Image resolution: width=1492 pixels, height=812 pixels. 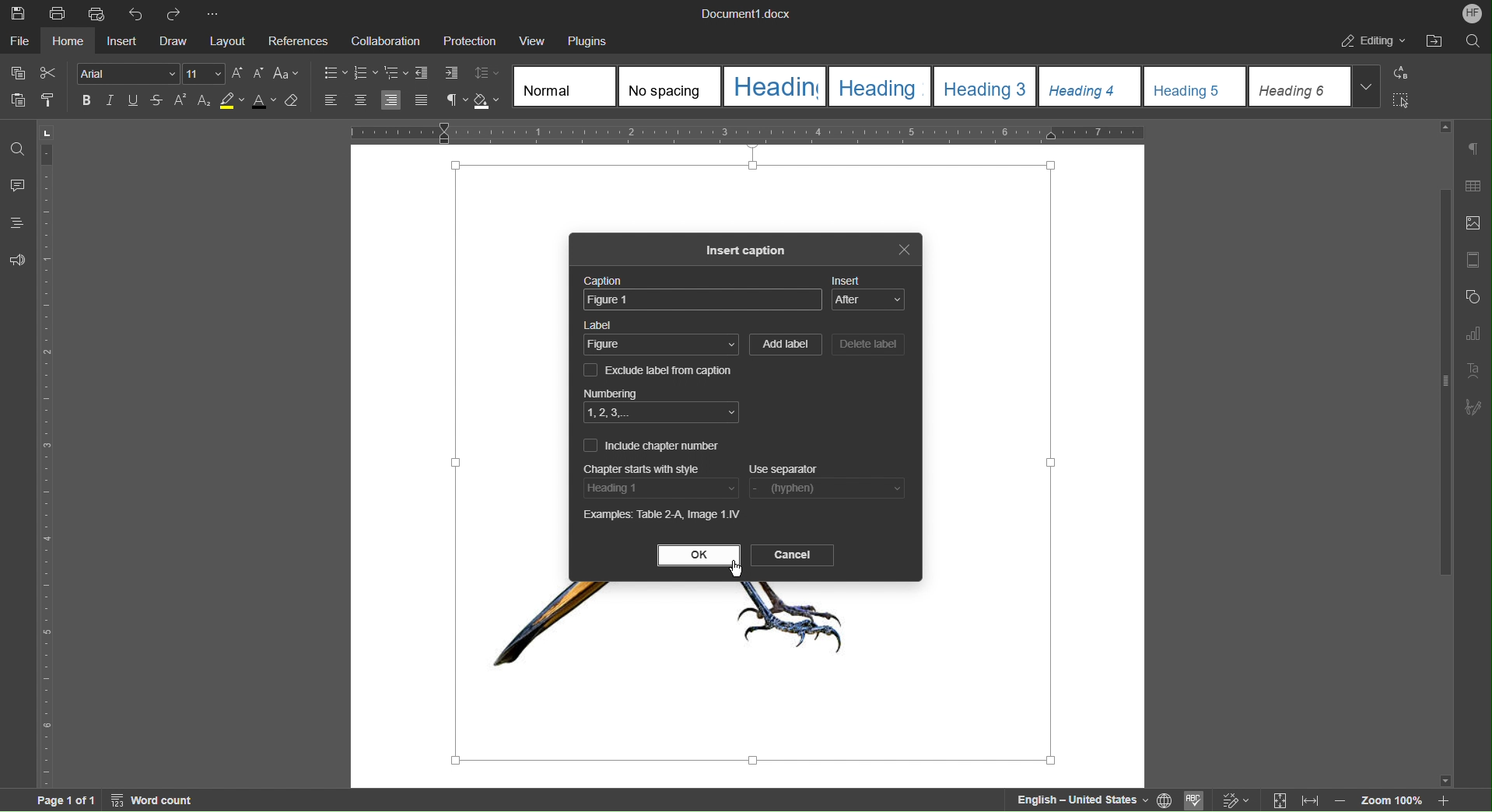 I want to click on Examples, so click(x=663, y=516).